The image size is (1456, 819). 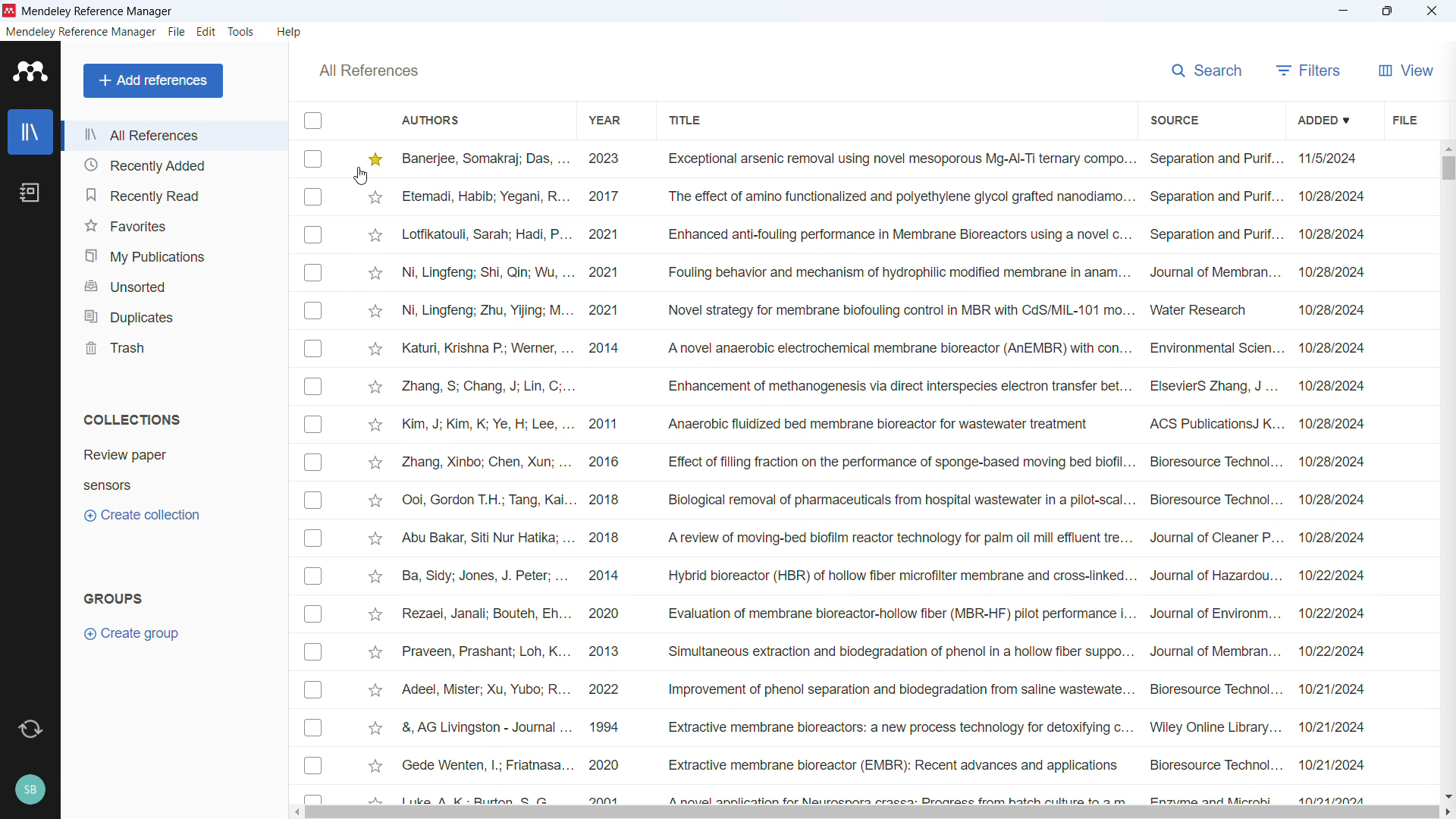 I want to click on file , so click(x=1403, y=119).